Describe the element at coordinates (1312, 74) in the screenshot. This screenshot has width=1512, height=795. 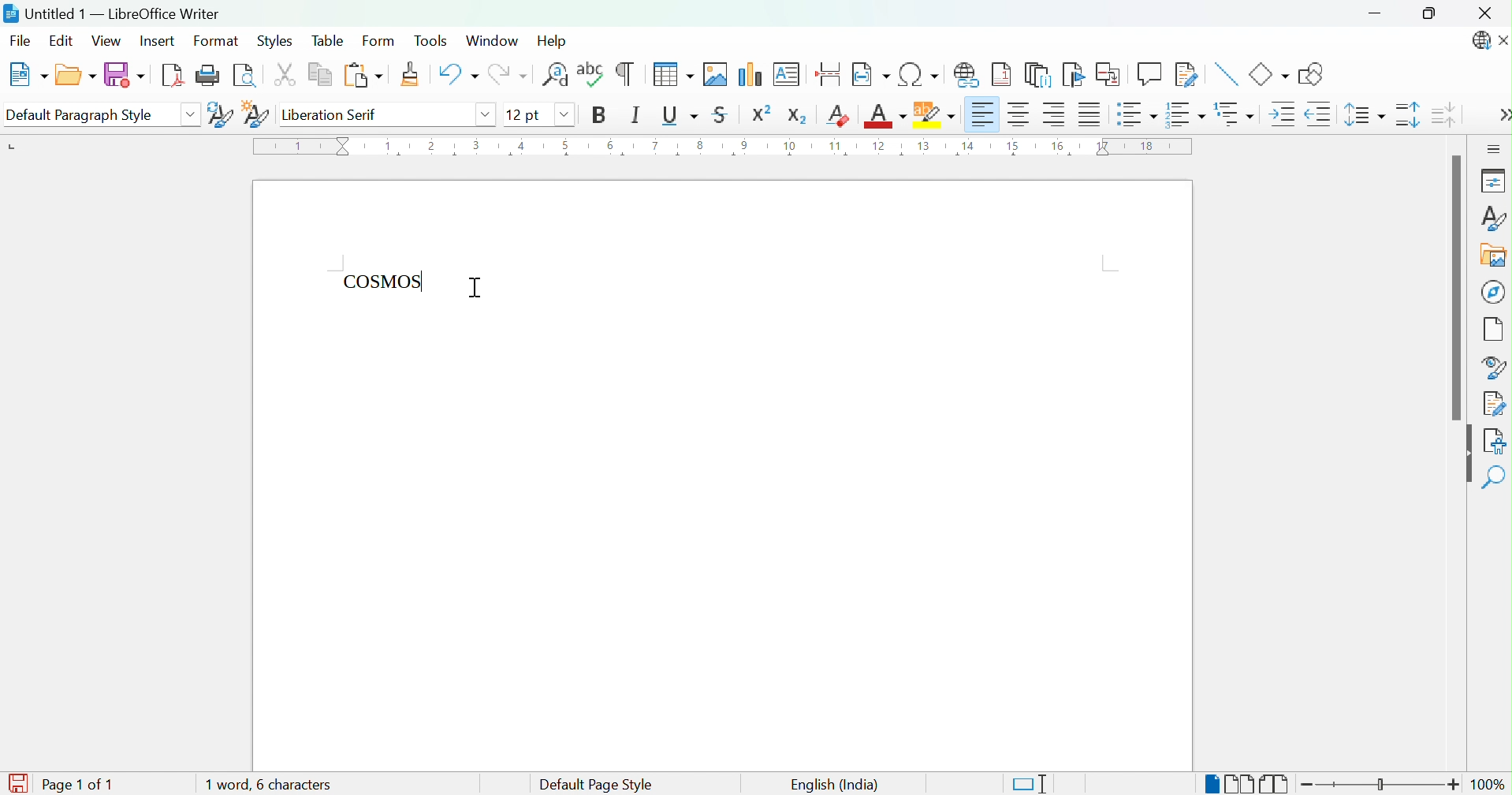
I see `Draw Basic Shapes` at that location.